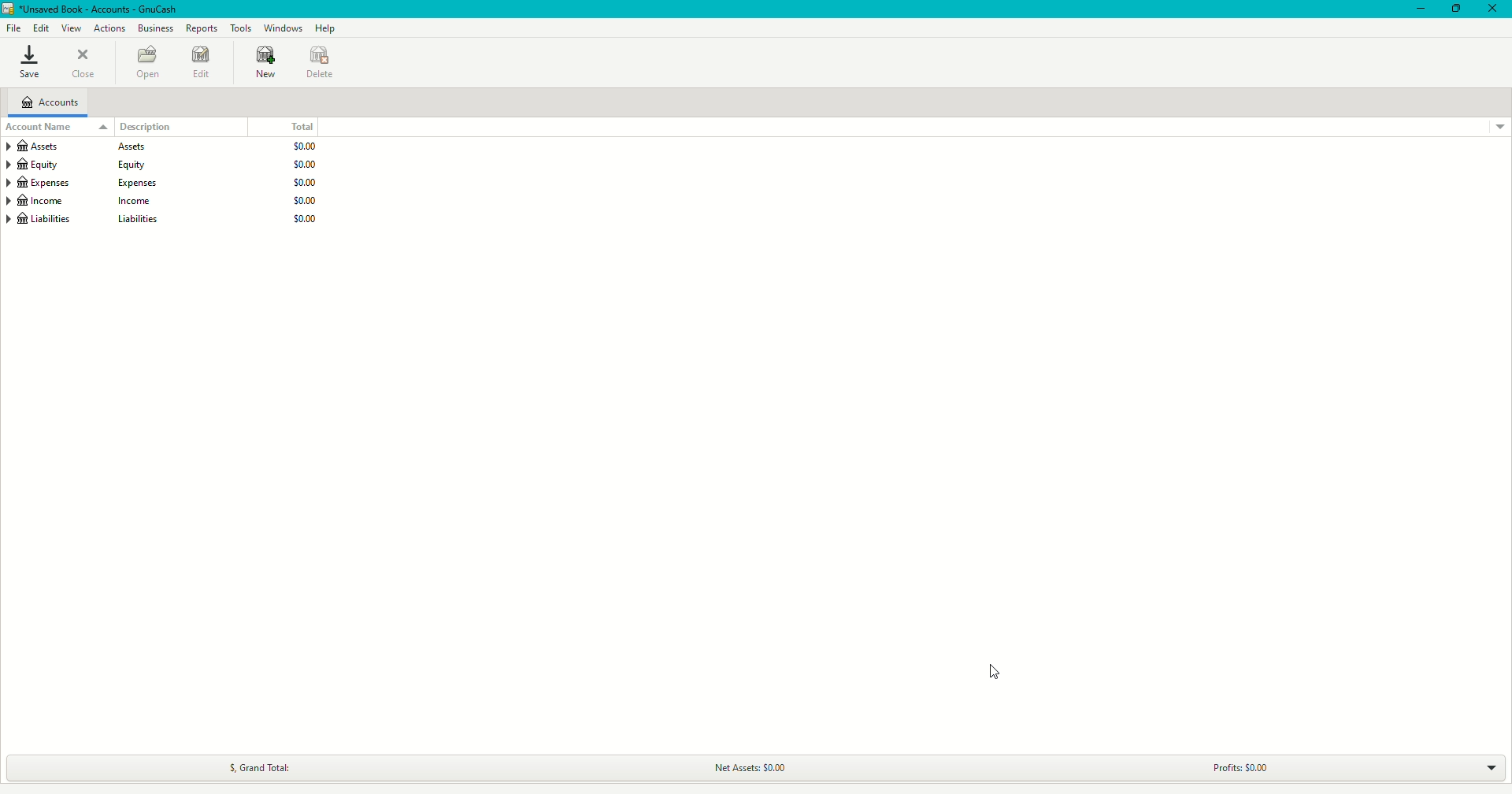 The width and height of the screenshot is (1512, 794). Describe the element at coordinates (28, 65) in the screenshot. I see `Save` at that location.